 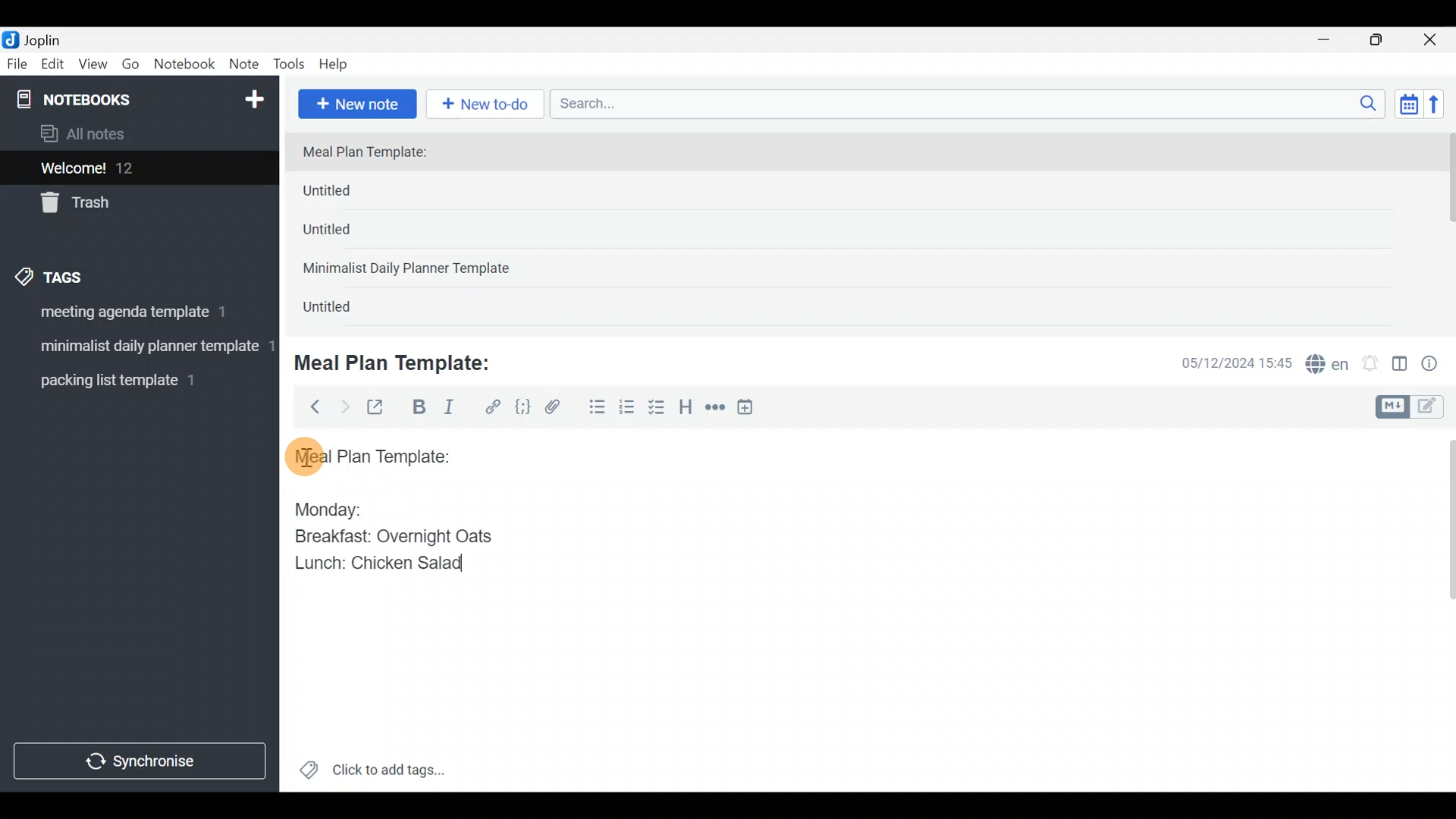 I want to click on Attach file, so click(x=557, y=409).